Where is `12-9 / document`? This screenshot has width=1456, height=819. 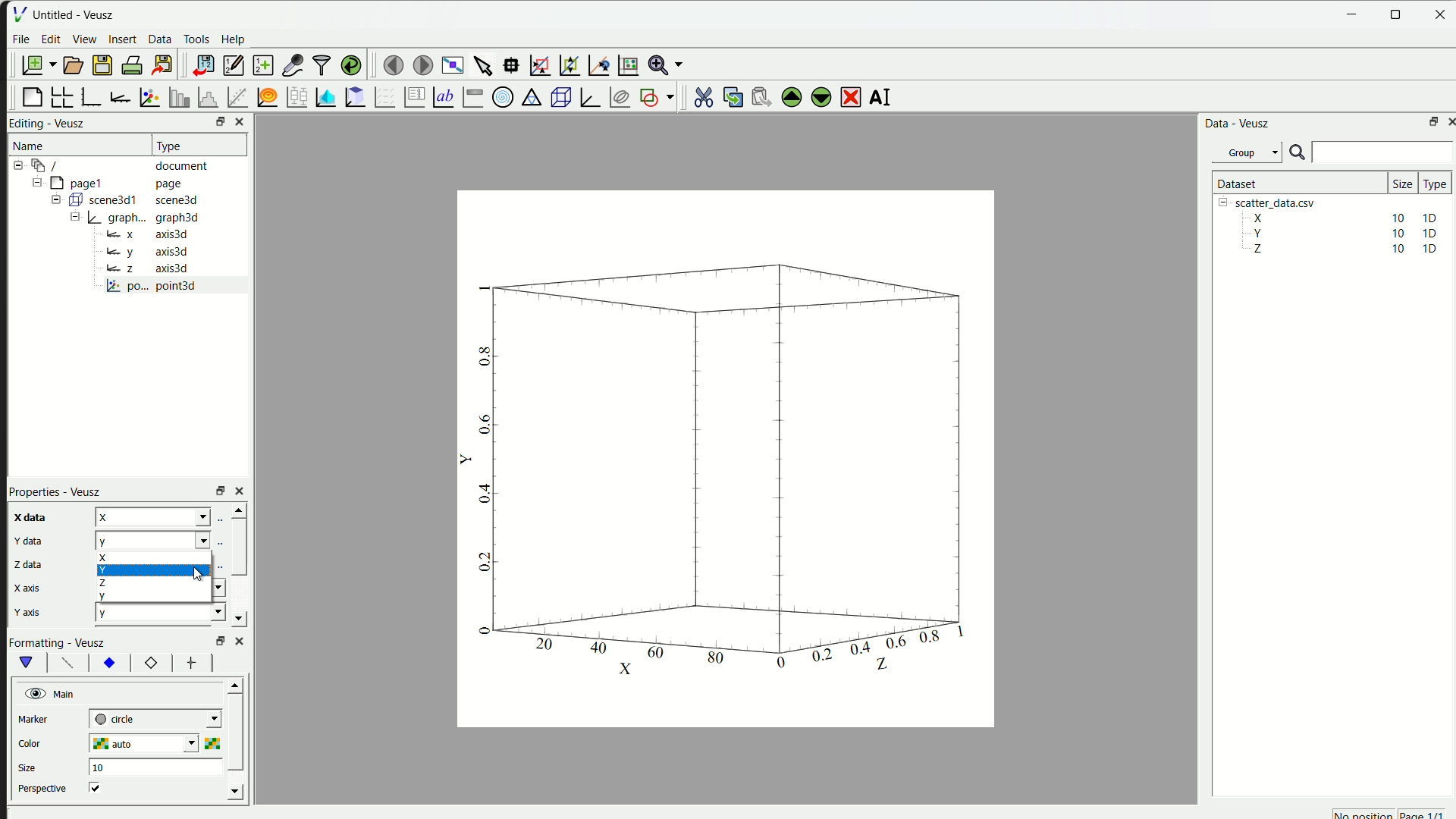
12-9 / document is located at coordinates (109, 165).